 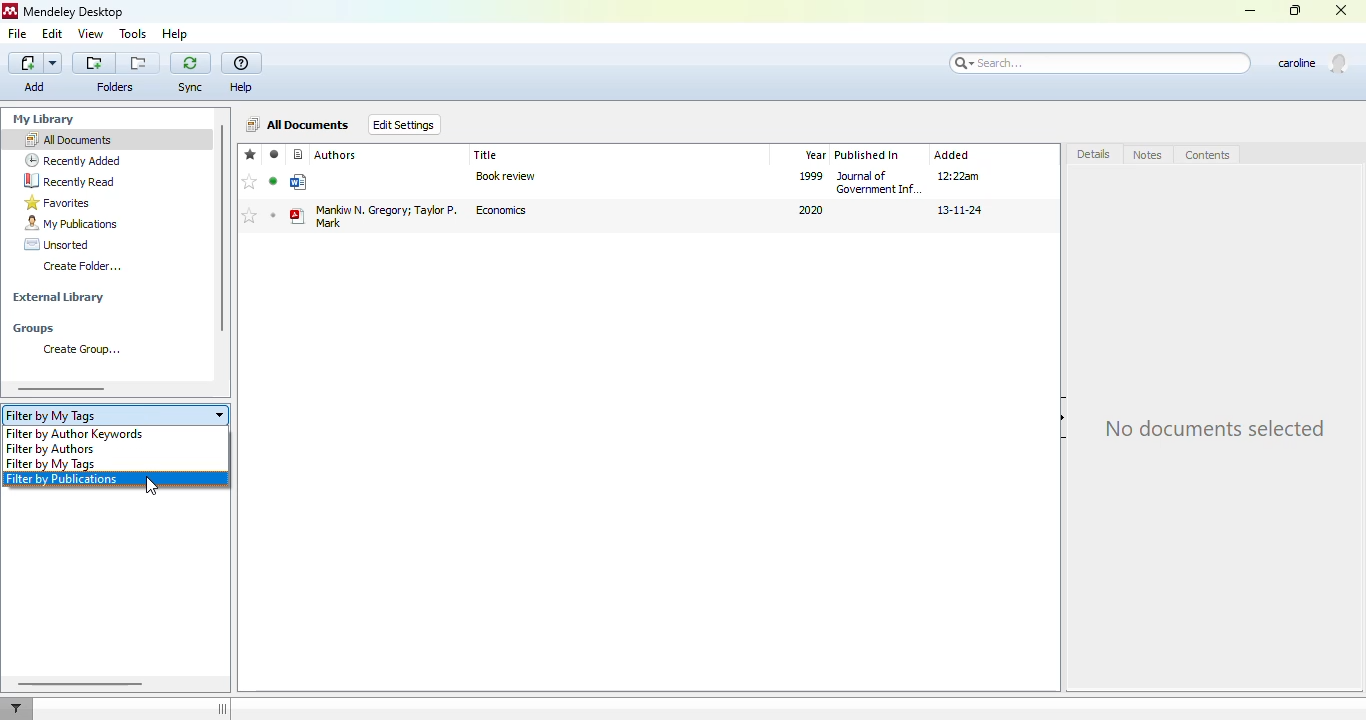 What do you see at coordinates (1065, 417) in the screenshot?
I see `hide` at bounding box center [1065, 417].